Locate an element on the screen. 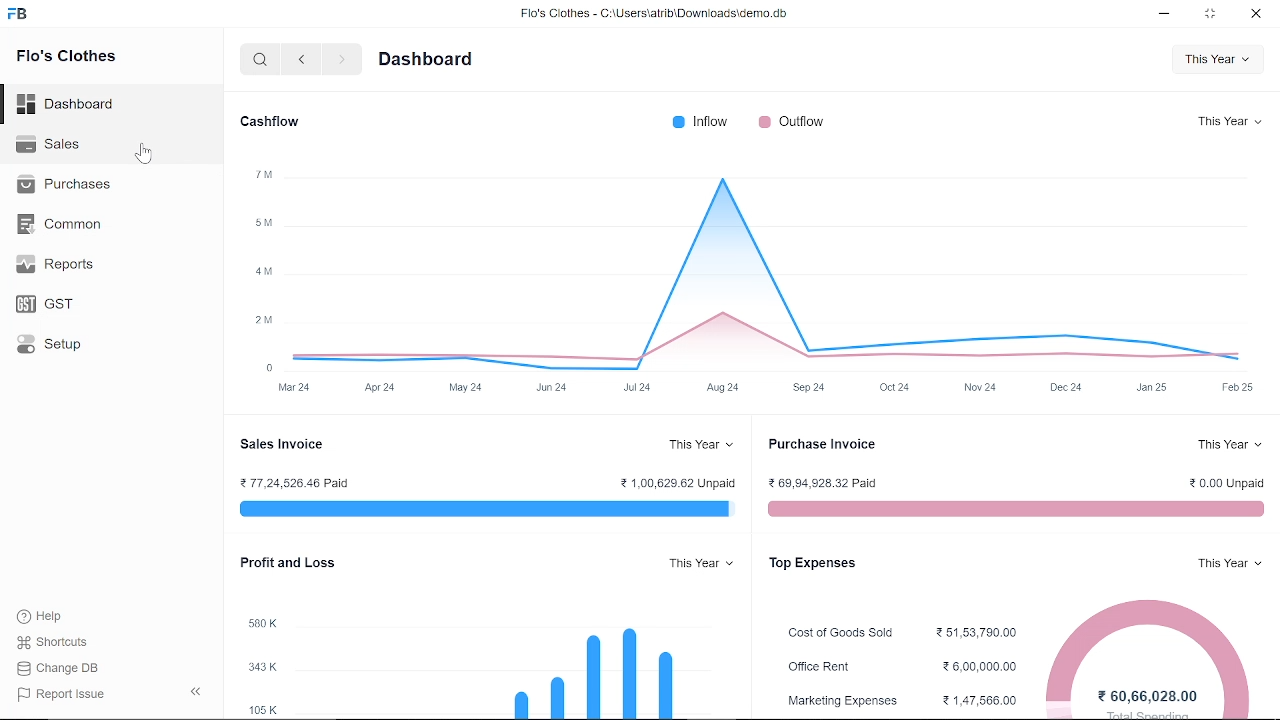 This screenshot has width=1280, height=720. previous is located at coordinates (302, 59).